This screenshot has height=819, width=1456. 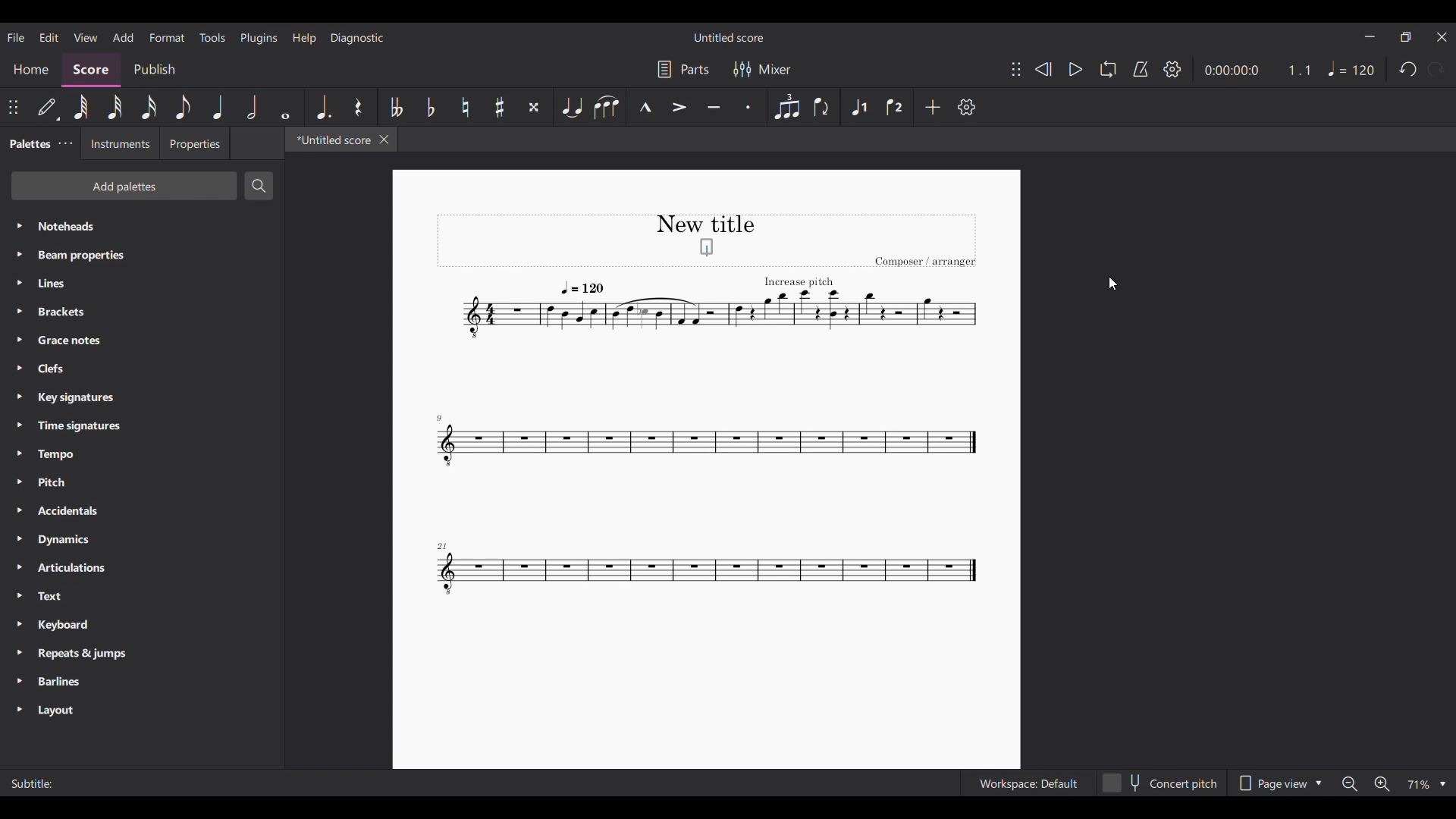 I want to click on Voice 2, so click(x=896, y=107).